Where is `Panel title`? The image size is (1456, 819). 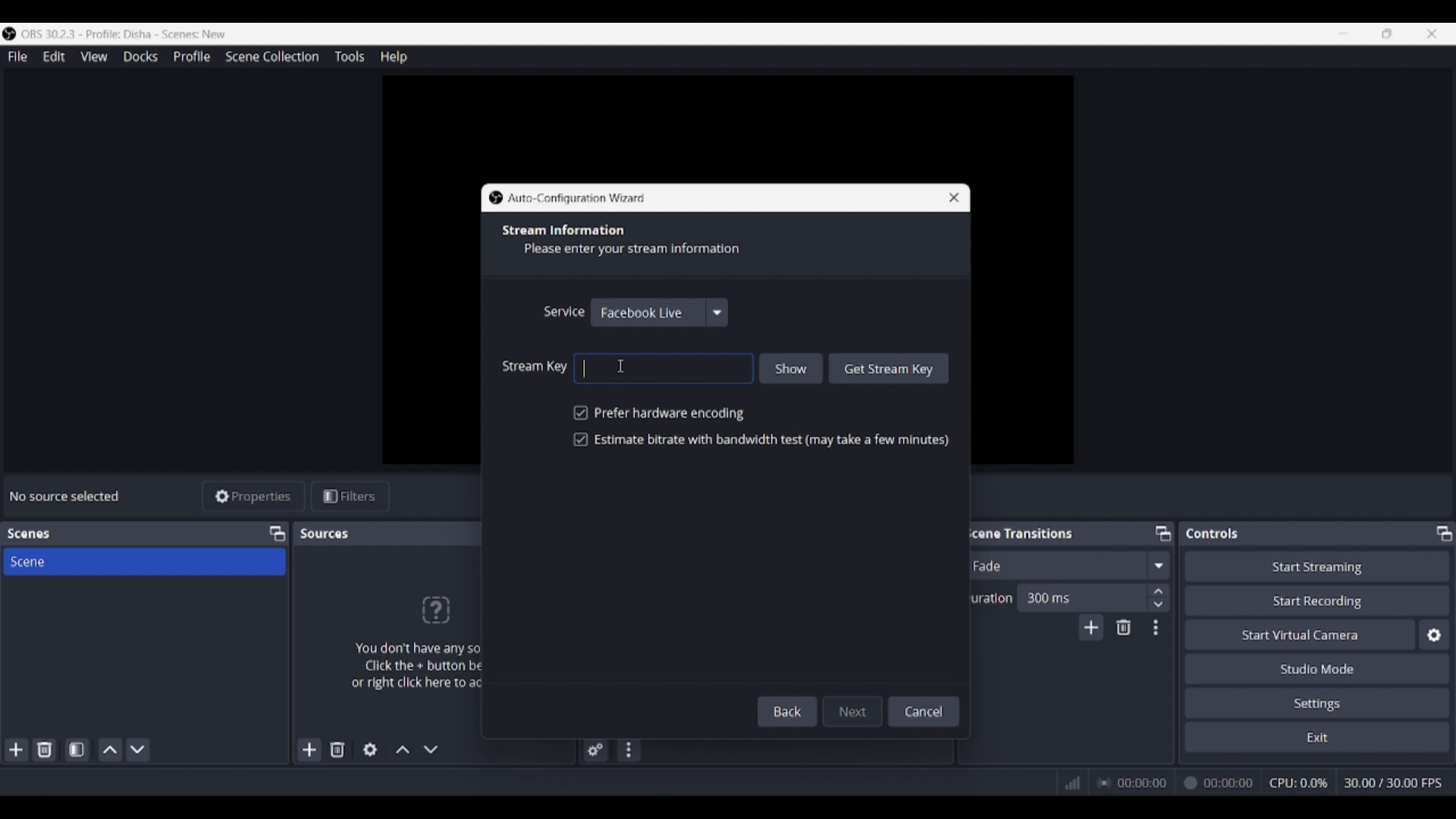 Panel title is located at coordinates (29, 534).